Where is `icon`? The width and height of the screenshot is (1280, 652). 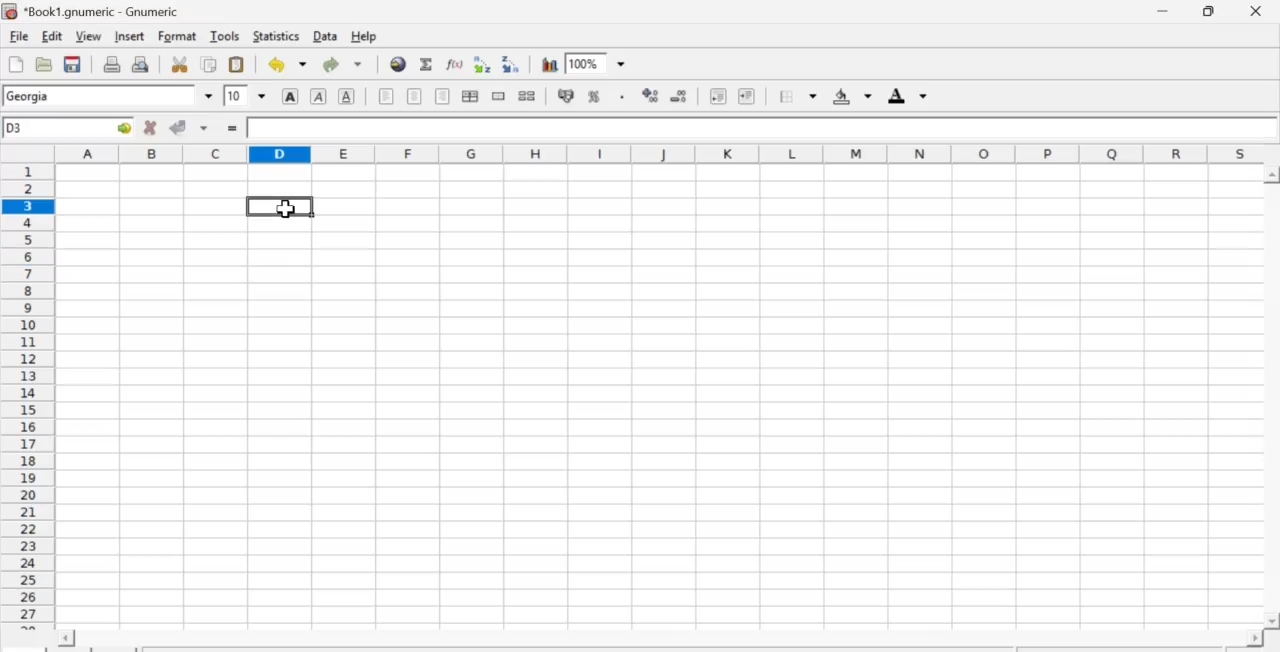
icon is located at coordinates (10, 11).